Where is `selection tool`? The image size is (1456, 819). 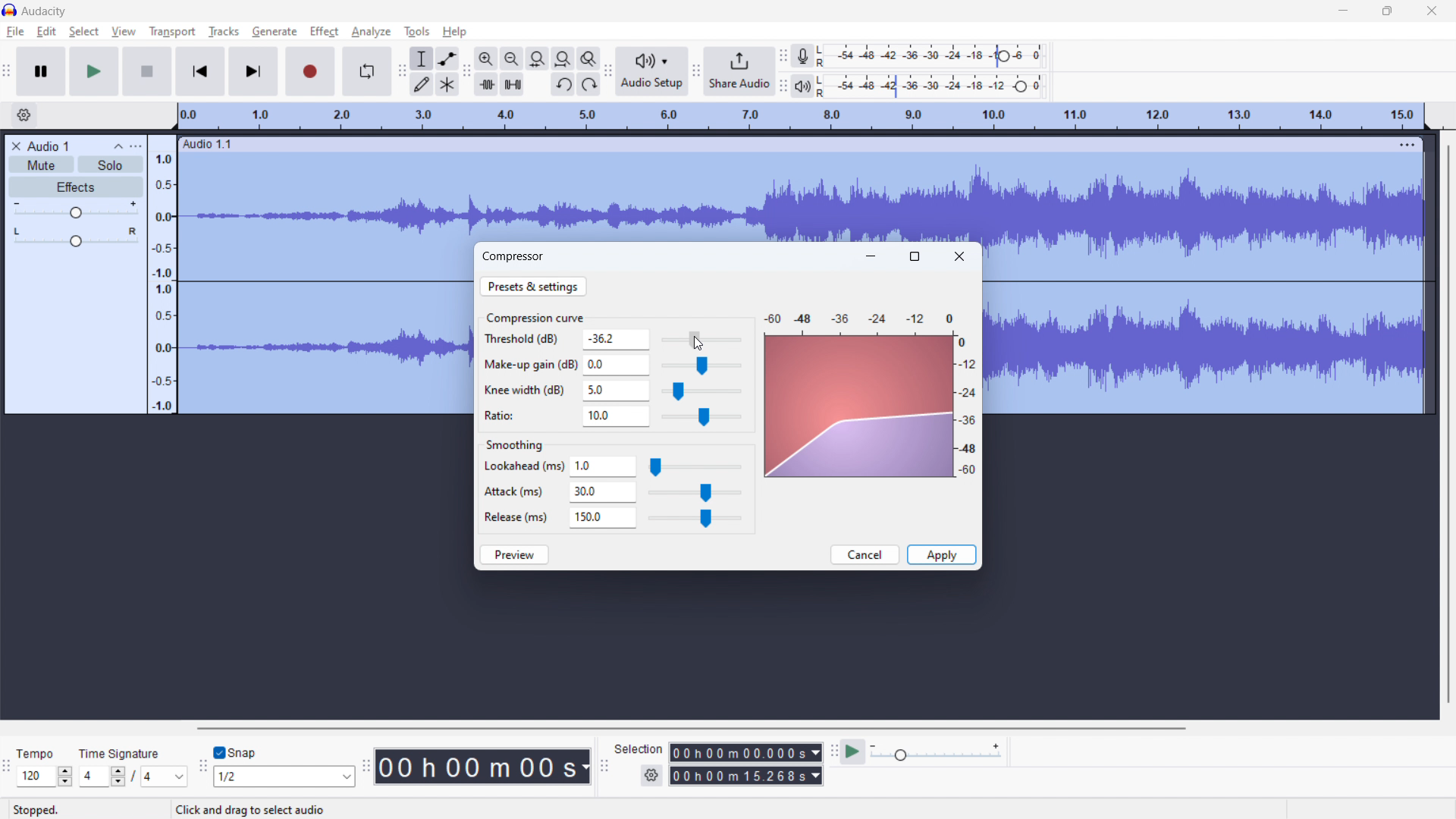 selection tool is located at coordinates (422, 59).